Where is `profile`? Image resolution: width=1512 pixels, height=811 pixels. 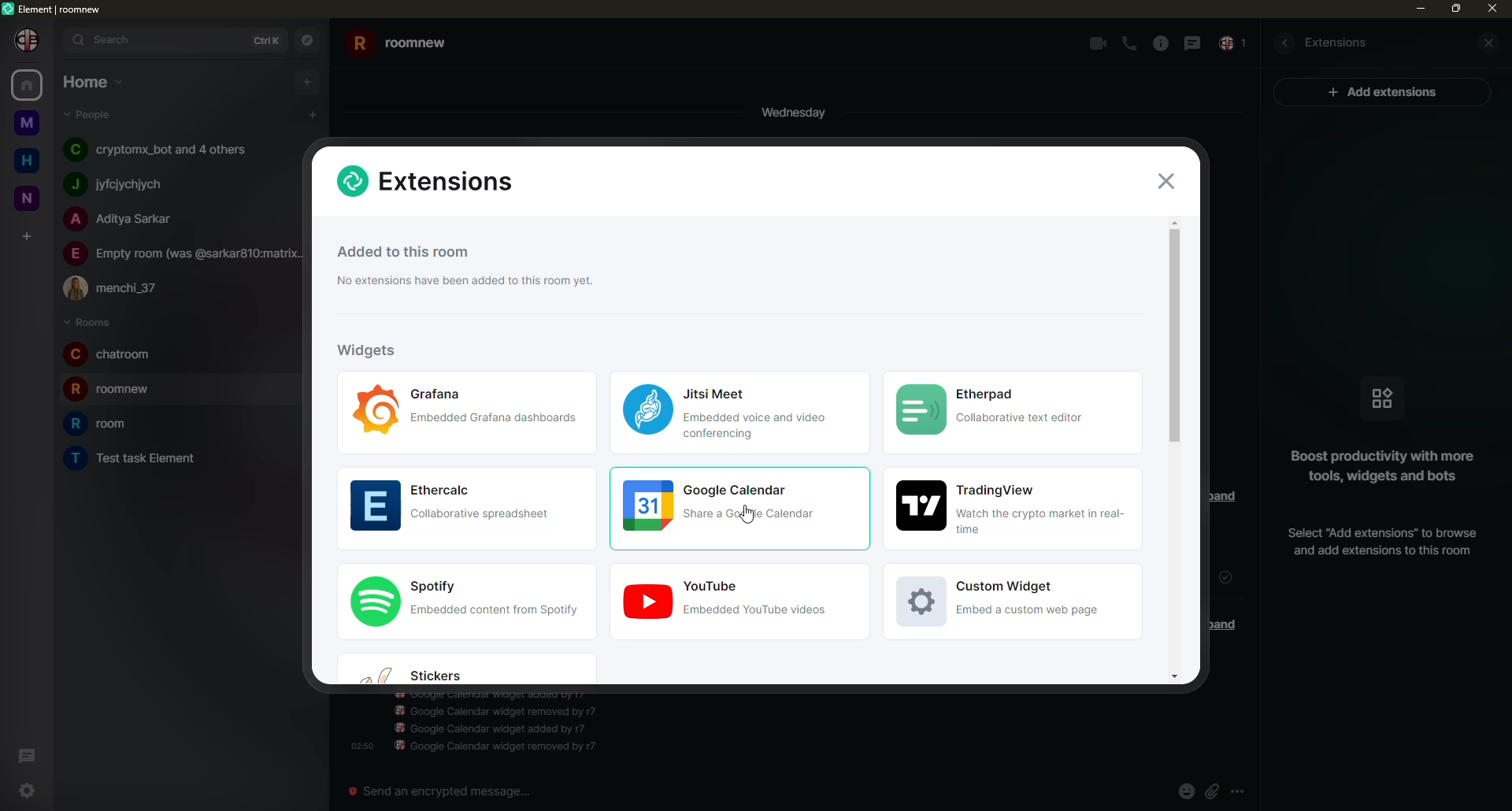 profile is located at coordinates (28, 41).